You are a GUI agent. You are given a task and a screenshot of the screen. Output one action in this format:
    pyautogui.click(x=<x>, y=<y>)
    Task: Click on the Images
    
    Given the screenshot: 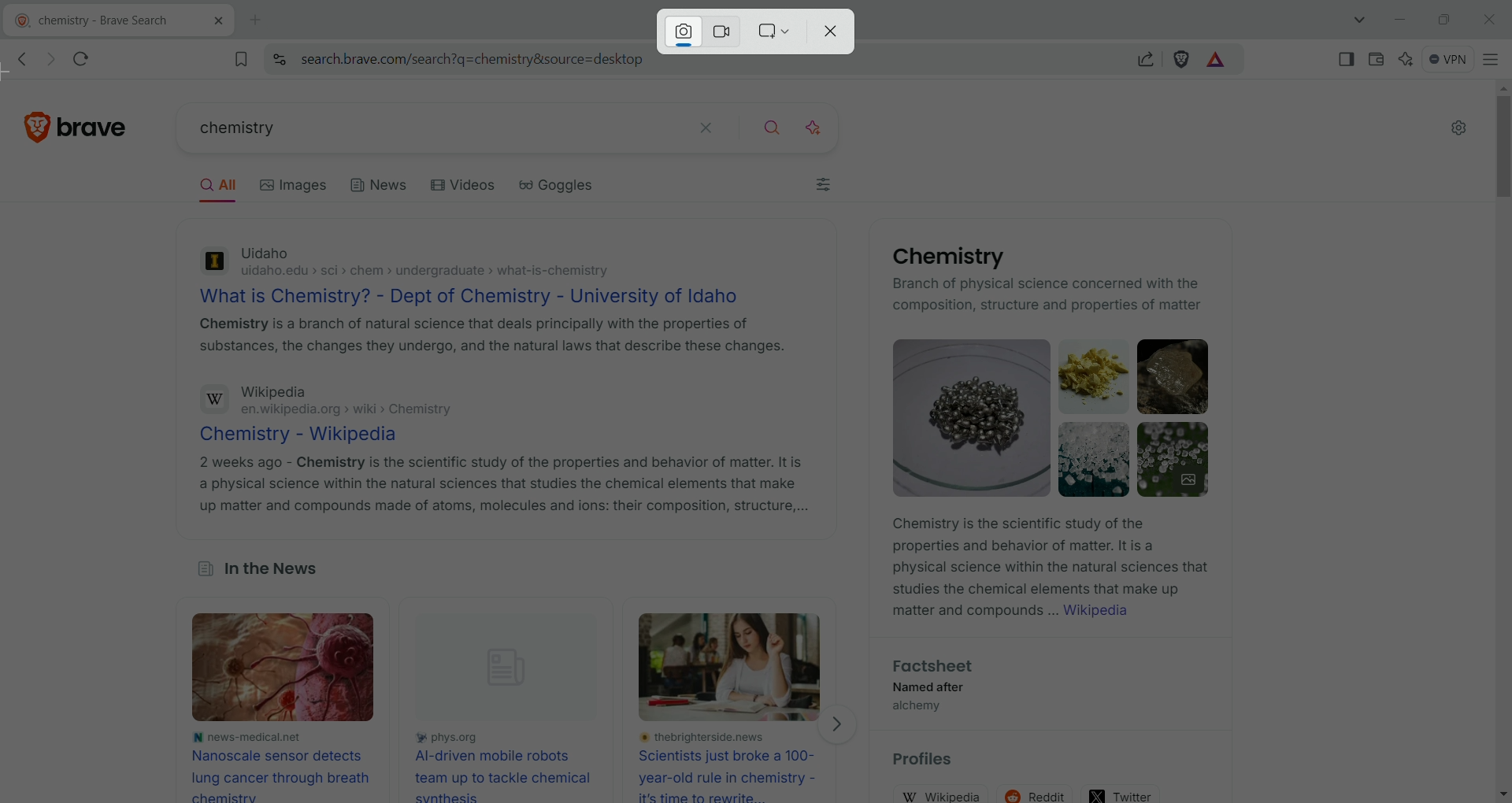 What is the action you would take?
    pyautogui.click(x=301, y=185)
    